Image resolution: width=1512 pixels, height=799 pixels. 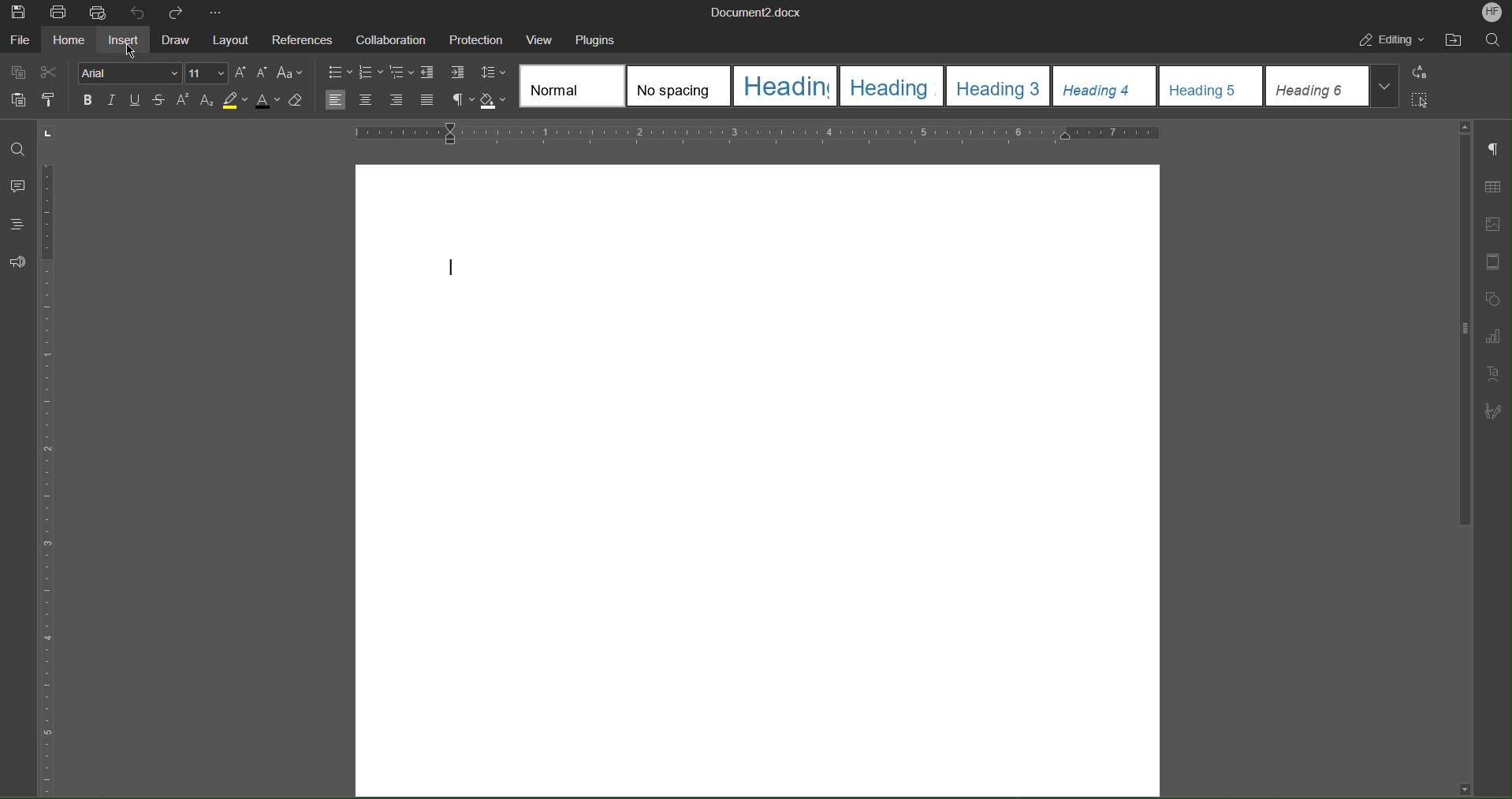 I want to click on Insert, so click(x=125, y=39).